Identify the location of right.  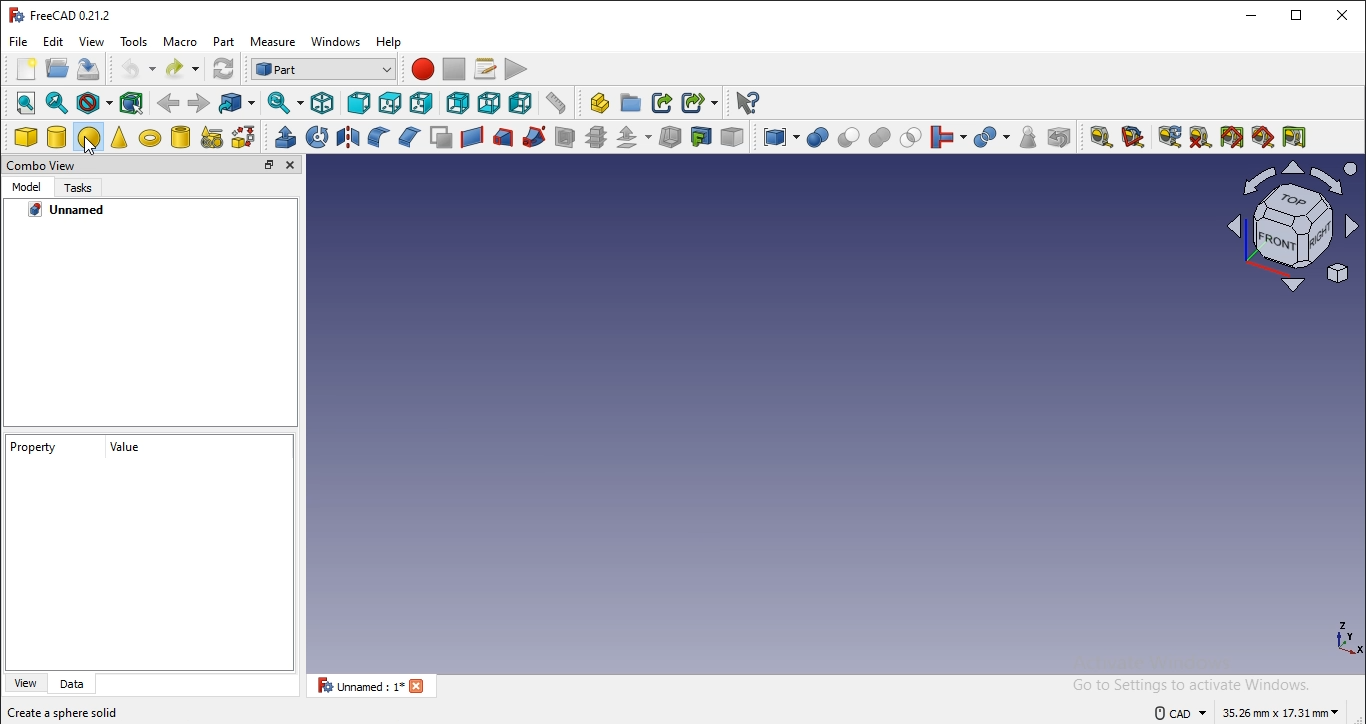
(424, 104).